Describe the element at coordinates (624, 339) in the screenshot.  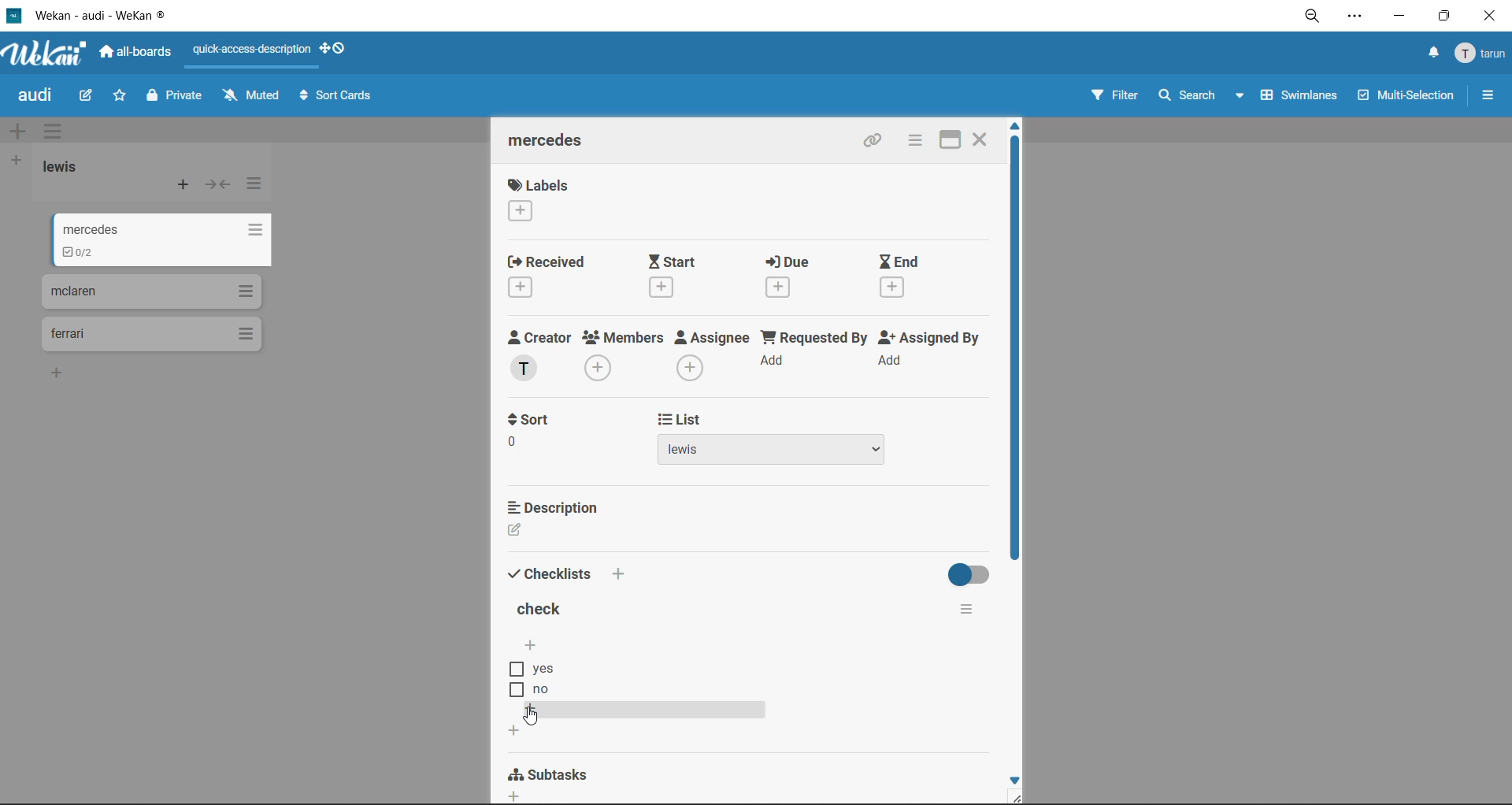
I see `members` at that location.